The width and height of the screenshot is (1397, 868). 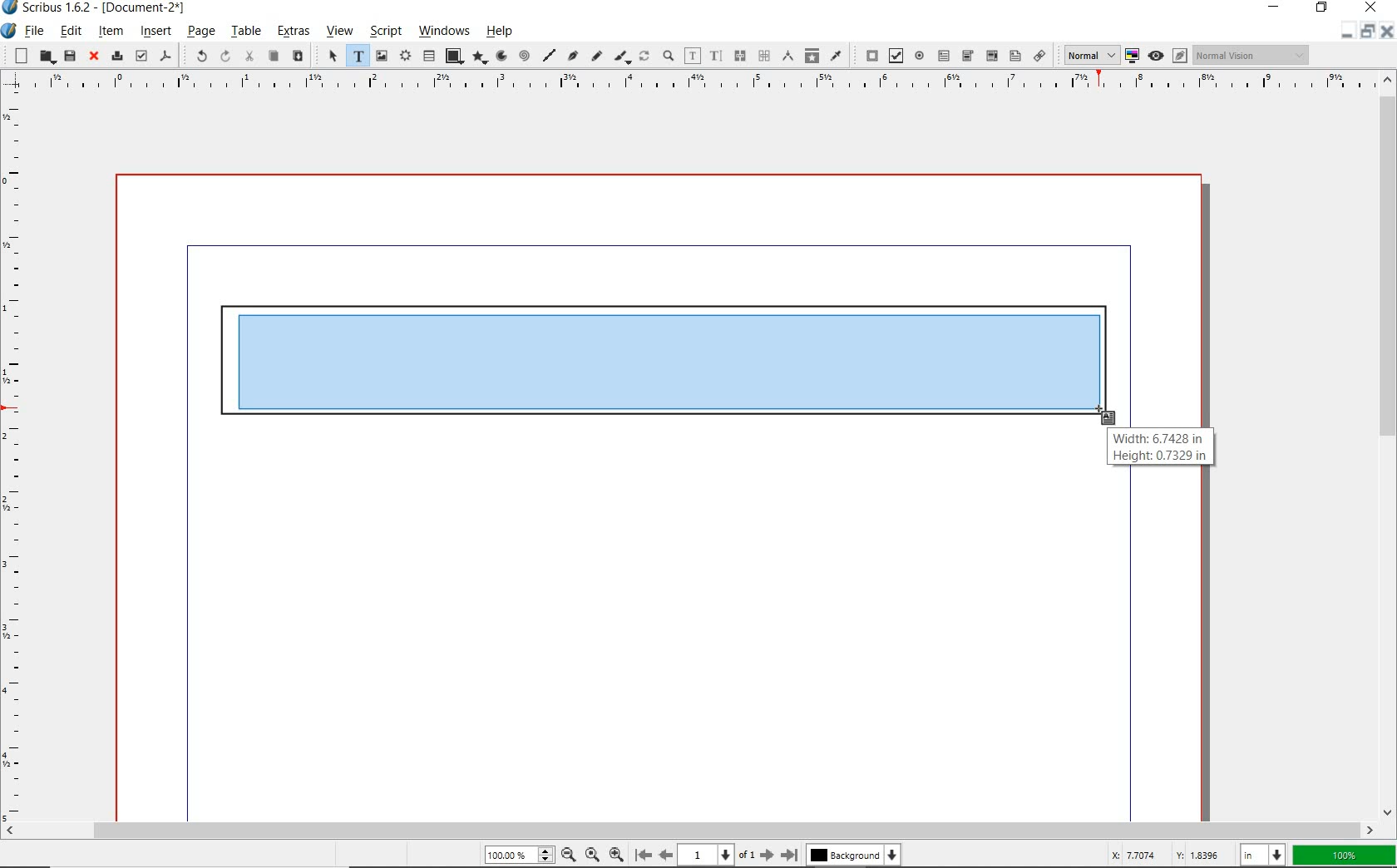 What do you see at coordinates (763, 57) in the screenshot?
I see `measurements` at bounding box center [763, 57].